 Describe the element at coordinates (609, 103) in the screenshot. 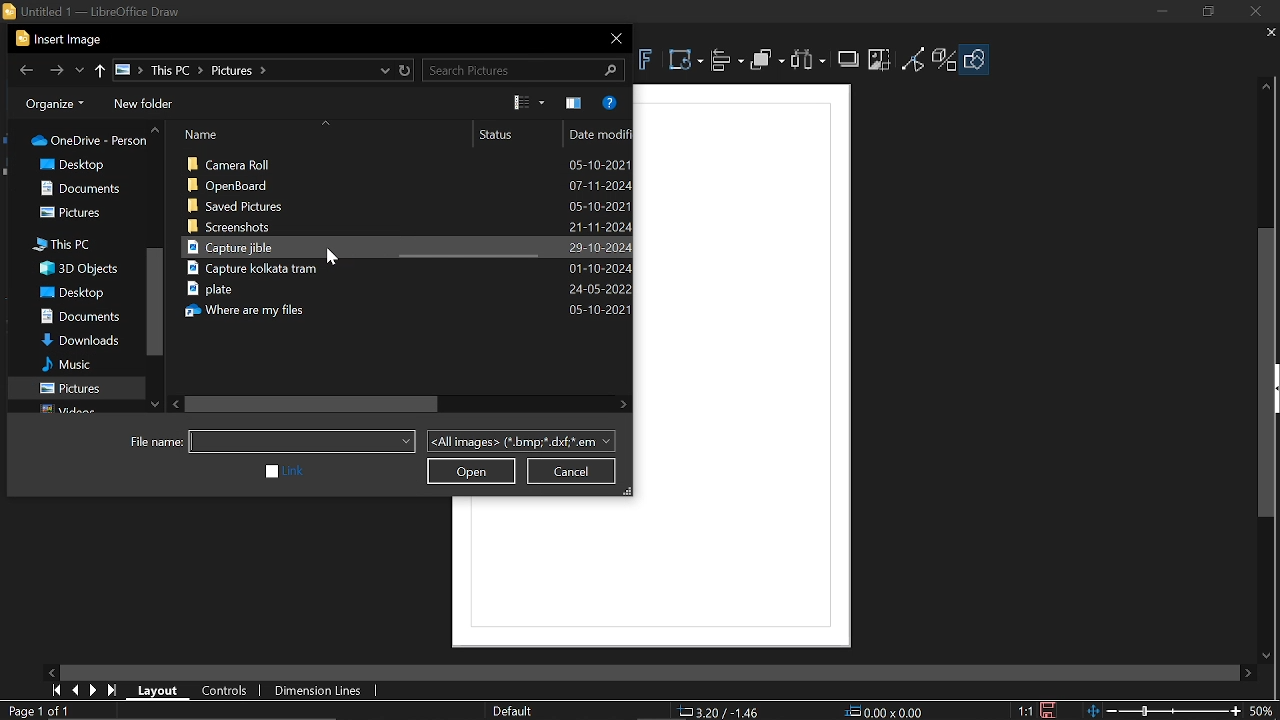

I see `Help` at that location.